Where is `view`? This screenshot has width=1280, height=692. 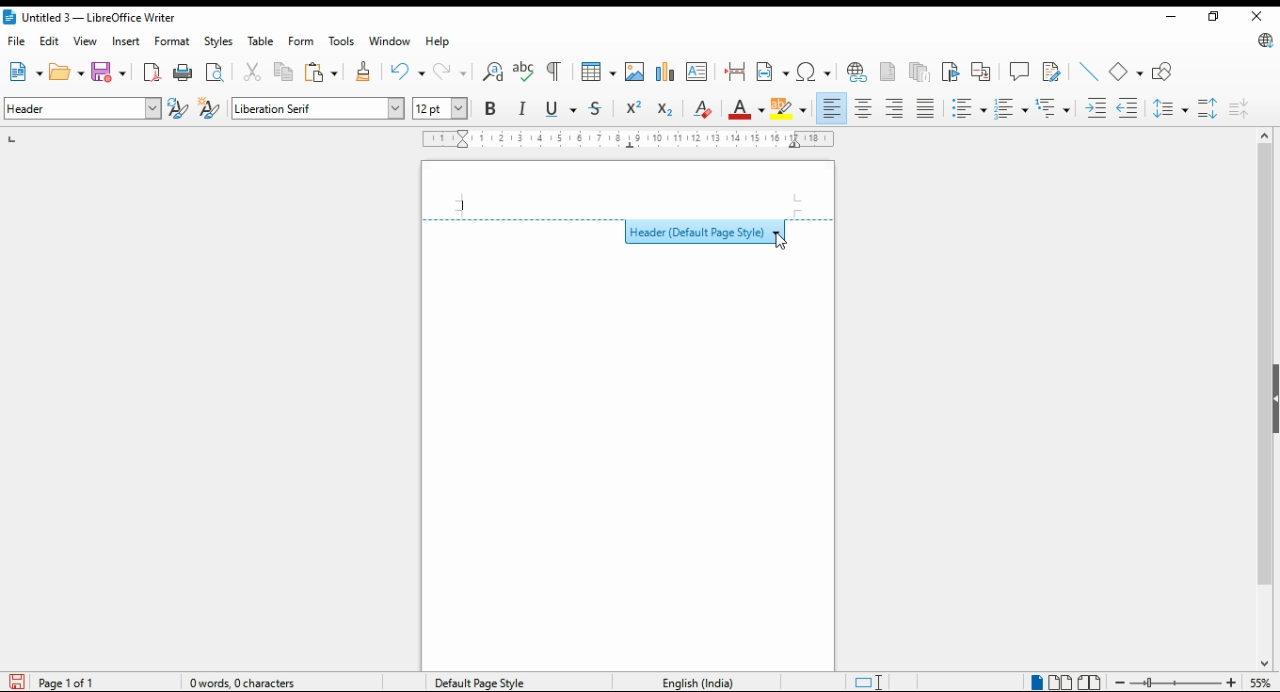 view is located at coordinates (85, 41).